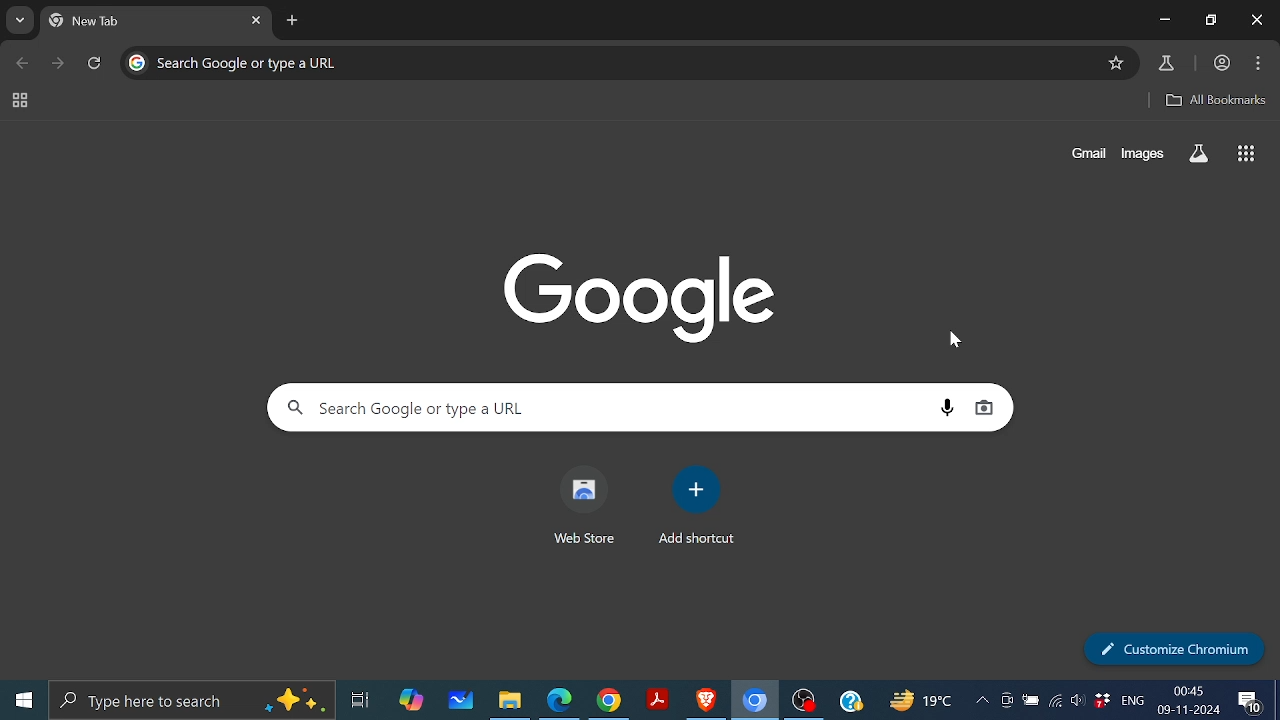 This screenshot has width=1280, height=720. Describe the element at coordinates (949, 407) in the screenshot. I see `Search by voice` at that location.